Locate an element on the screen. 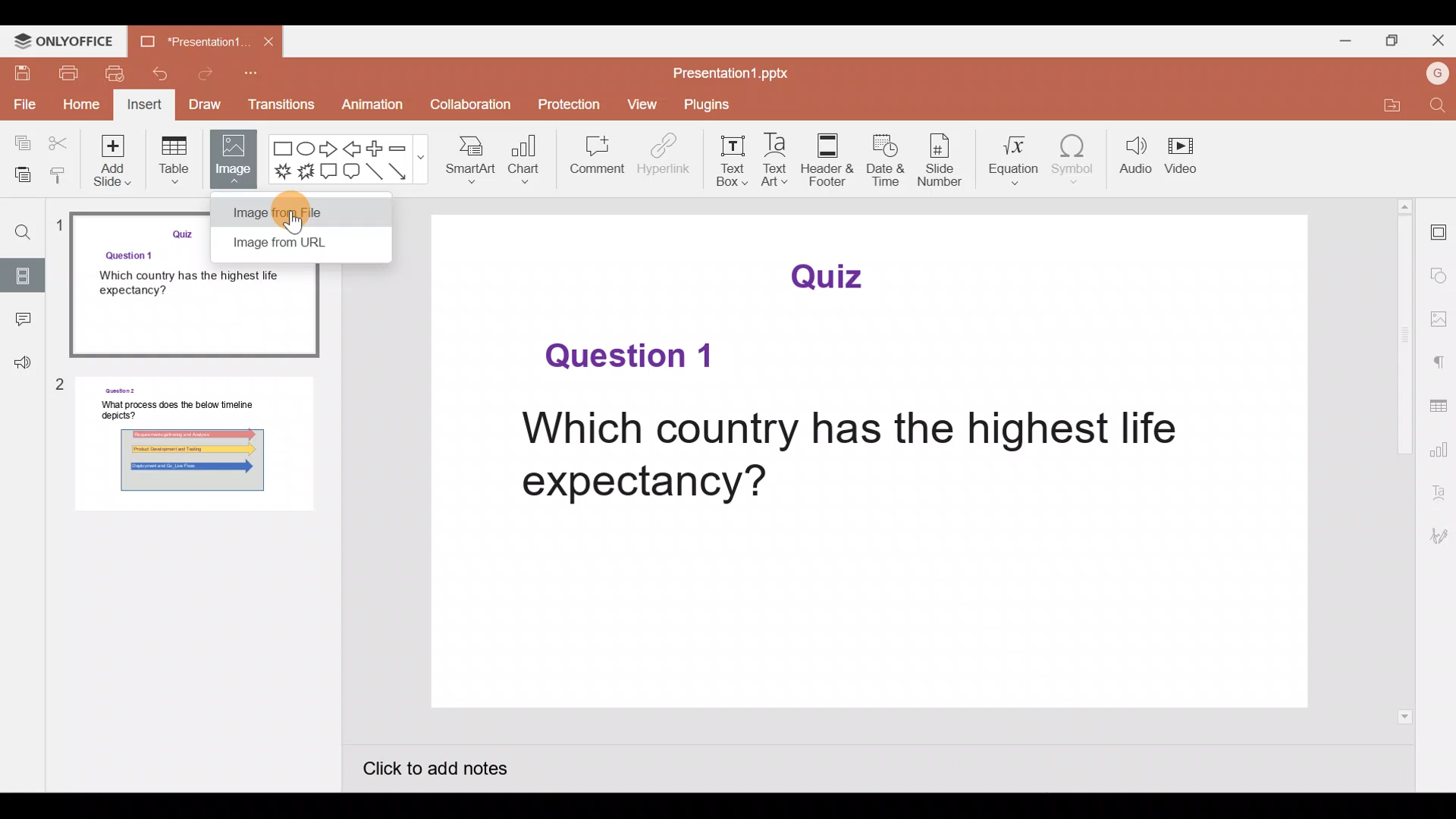 The image size is (1456, 819). Line is located at coordinates (374, 172).